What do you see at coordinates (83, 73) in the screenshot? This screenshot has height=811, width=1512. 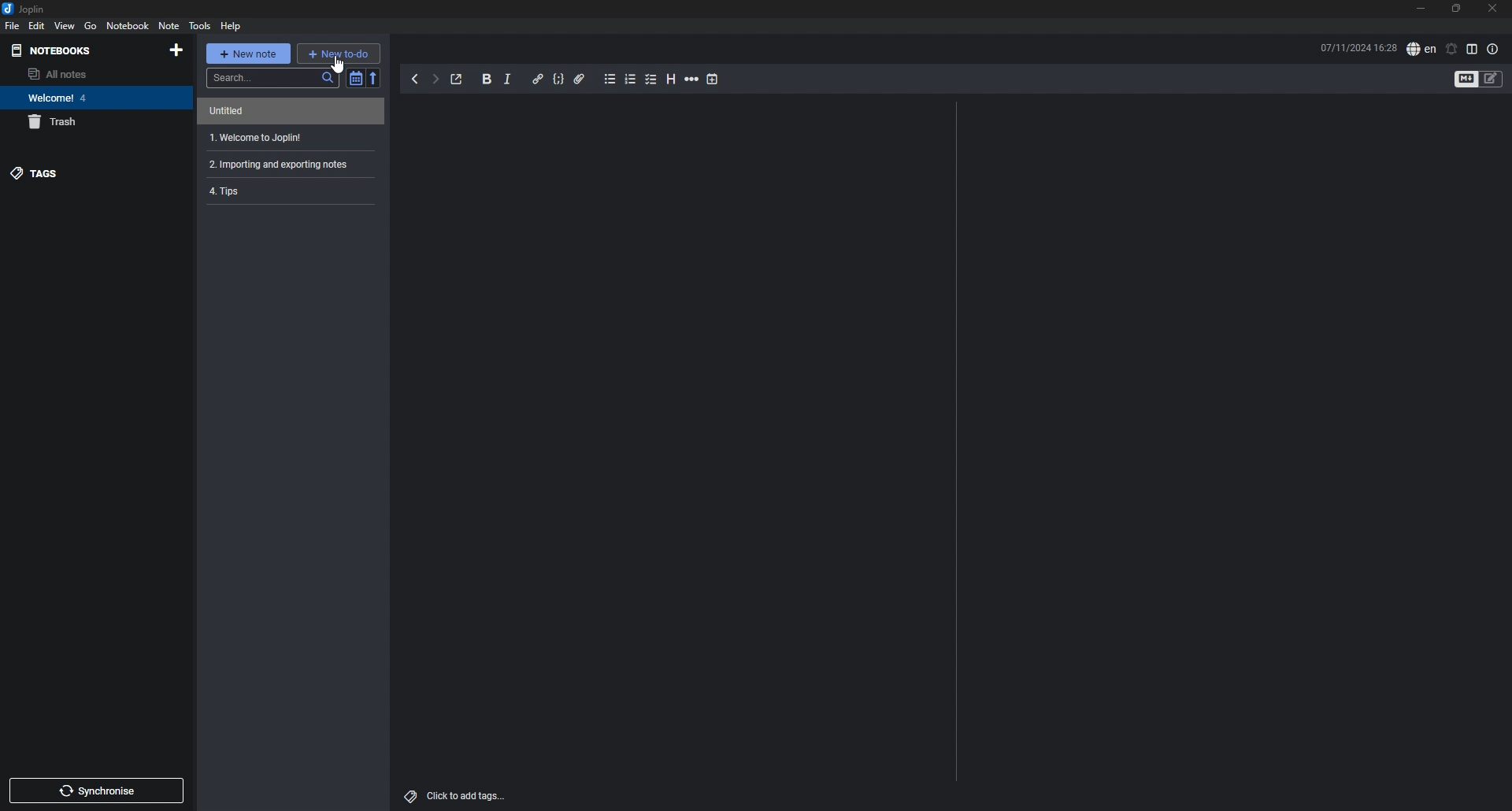 I see `all notes` at bounding box center [83, 73].